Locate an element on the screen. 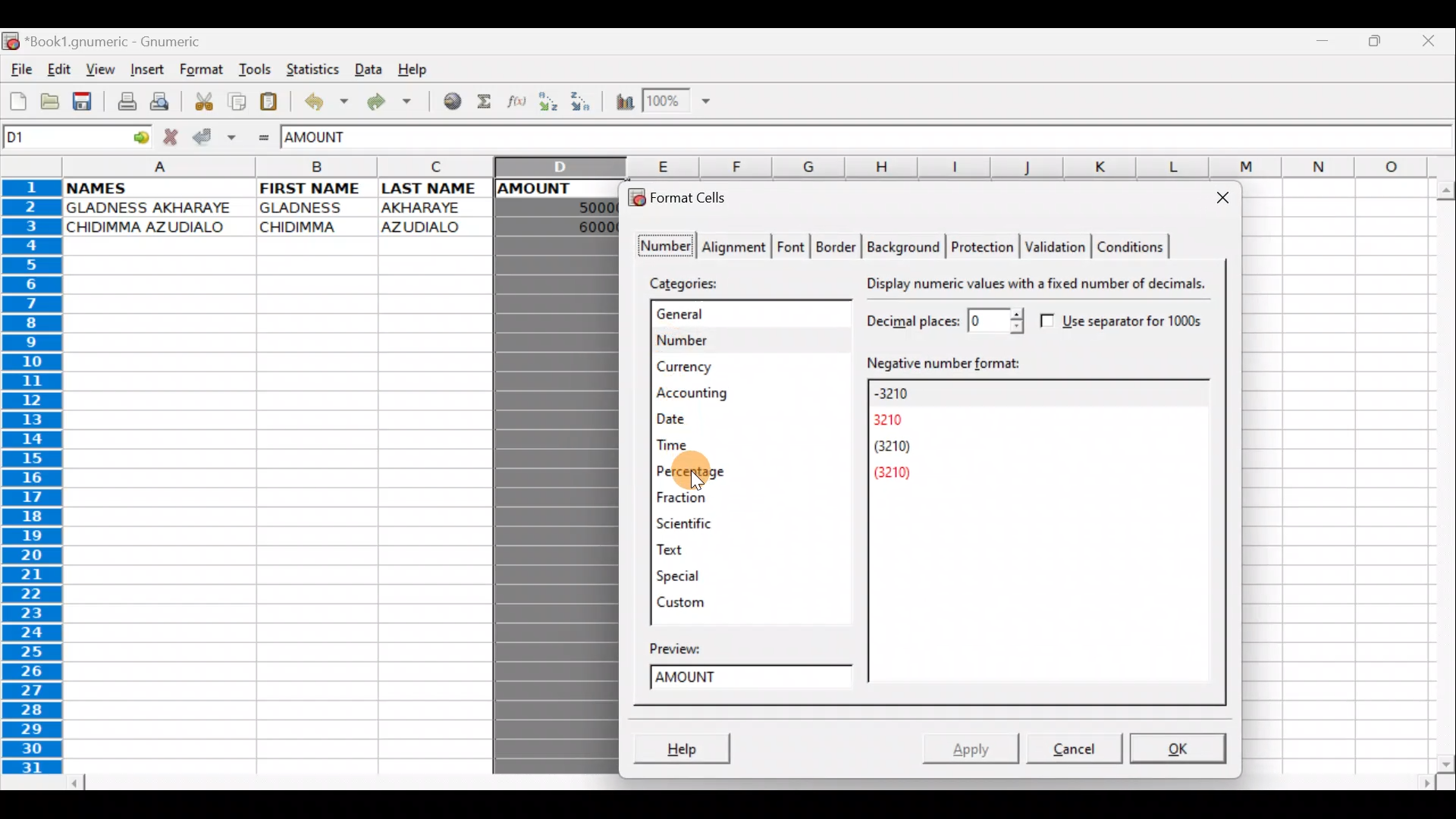 The image size is (1456, 819). Time is located at coordinates (714, 446).